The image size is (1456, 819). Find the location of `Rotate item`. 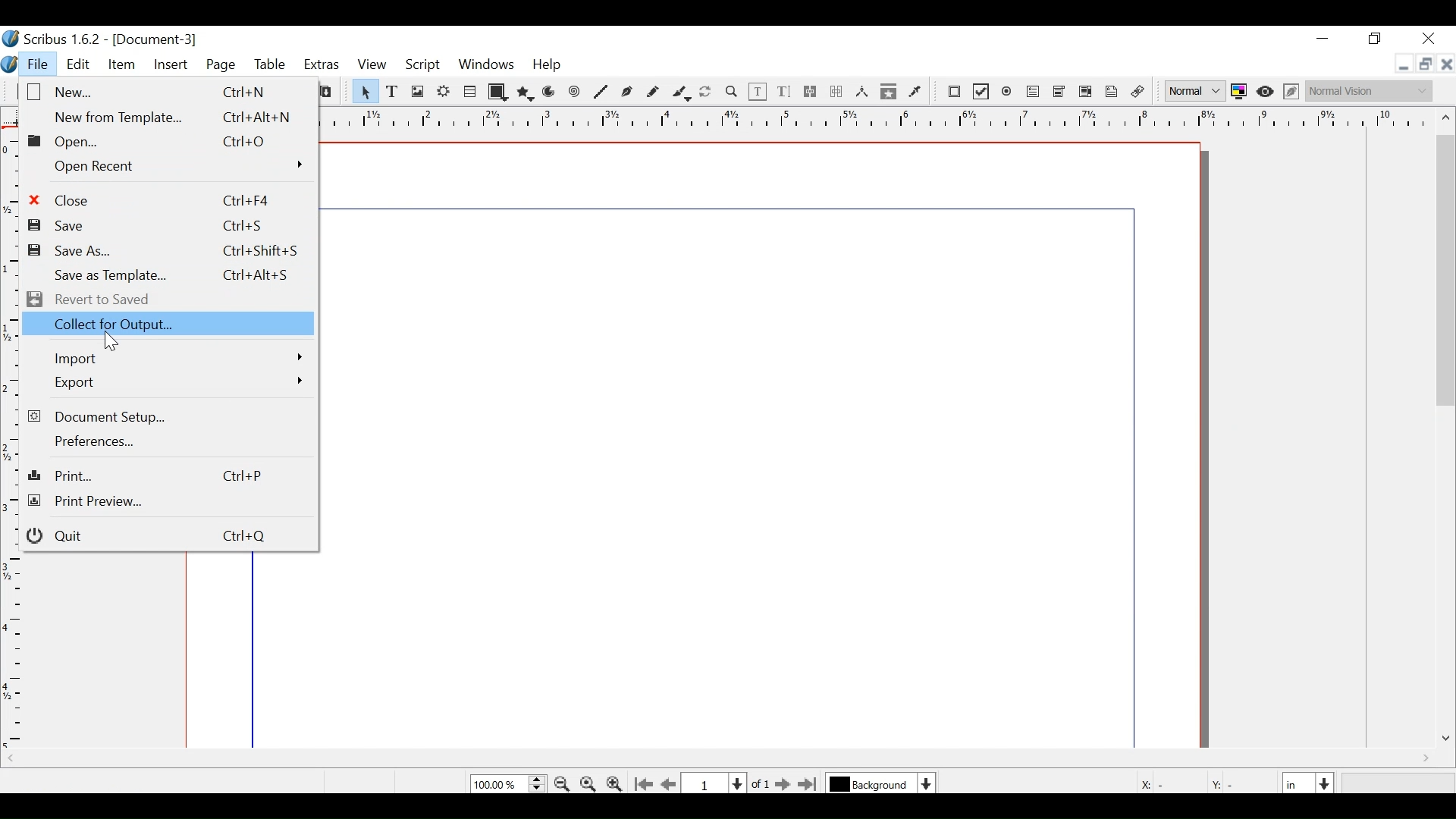

Rotate item is located at coordinates (708, 93).